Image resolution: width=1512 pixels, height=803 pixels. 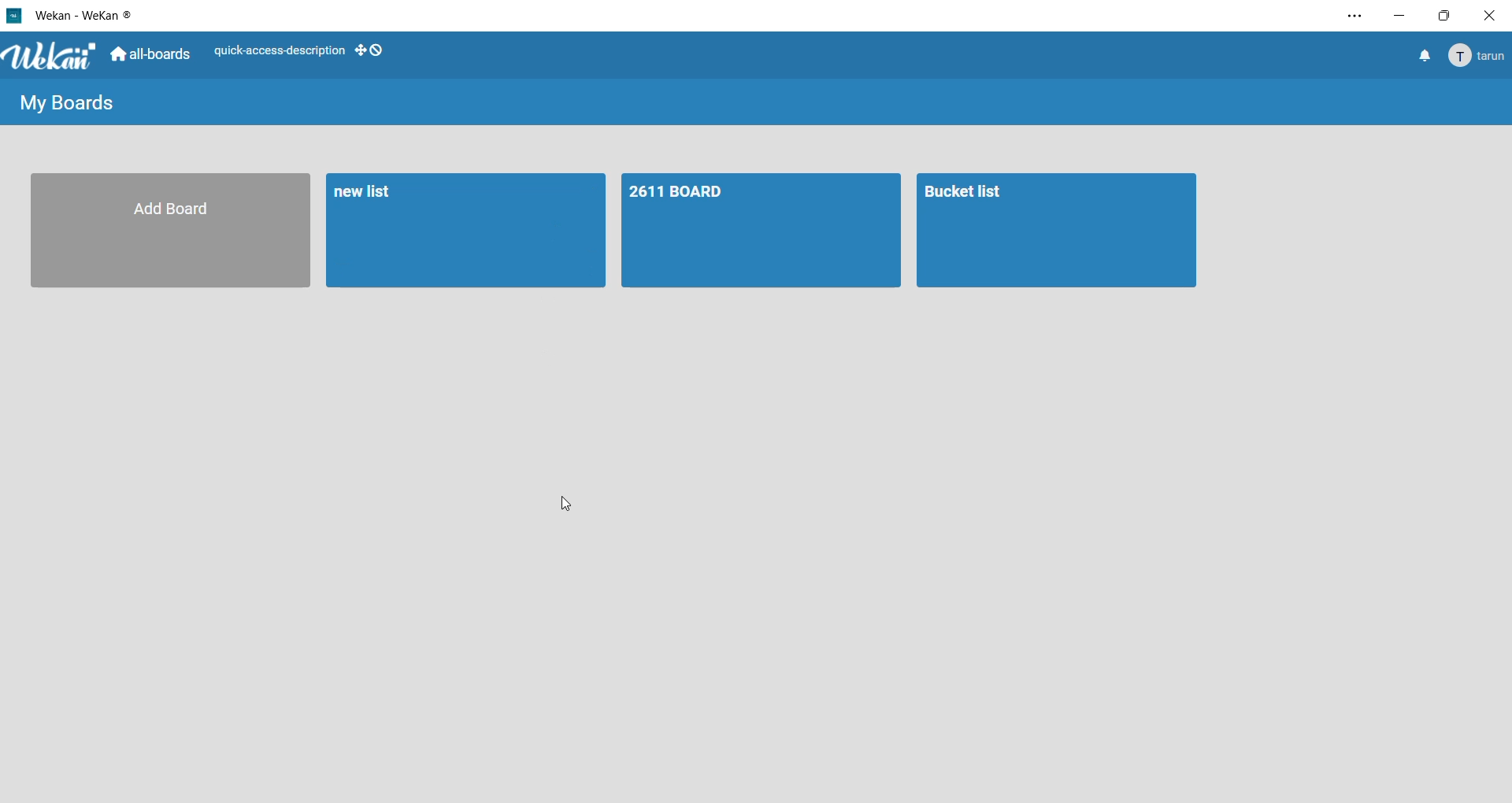 I want to click on notifications, so click(x=1423, y=58).